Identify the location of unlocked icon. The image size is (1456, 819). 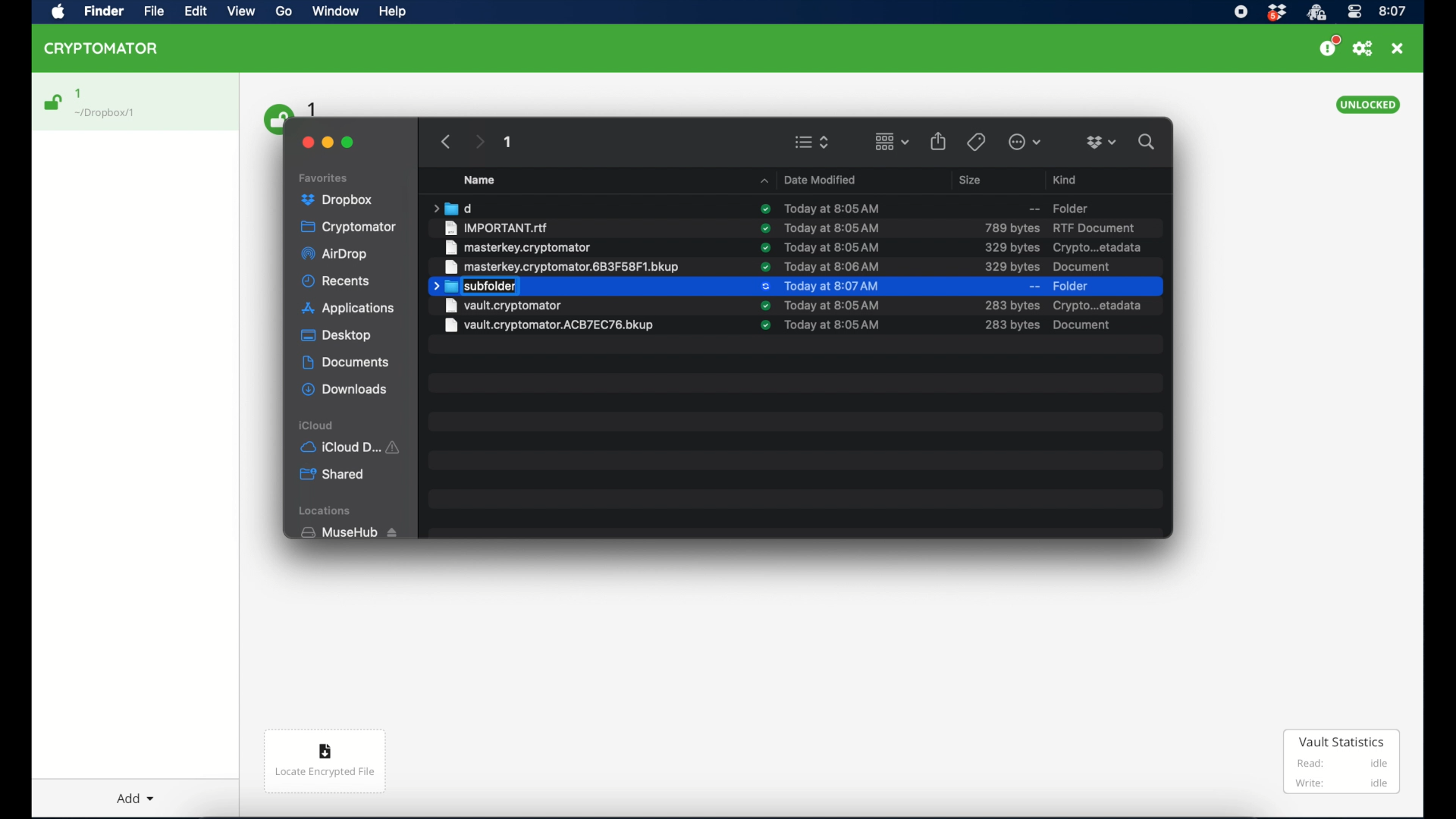
(54, 102).